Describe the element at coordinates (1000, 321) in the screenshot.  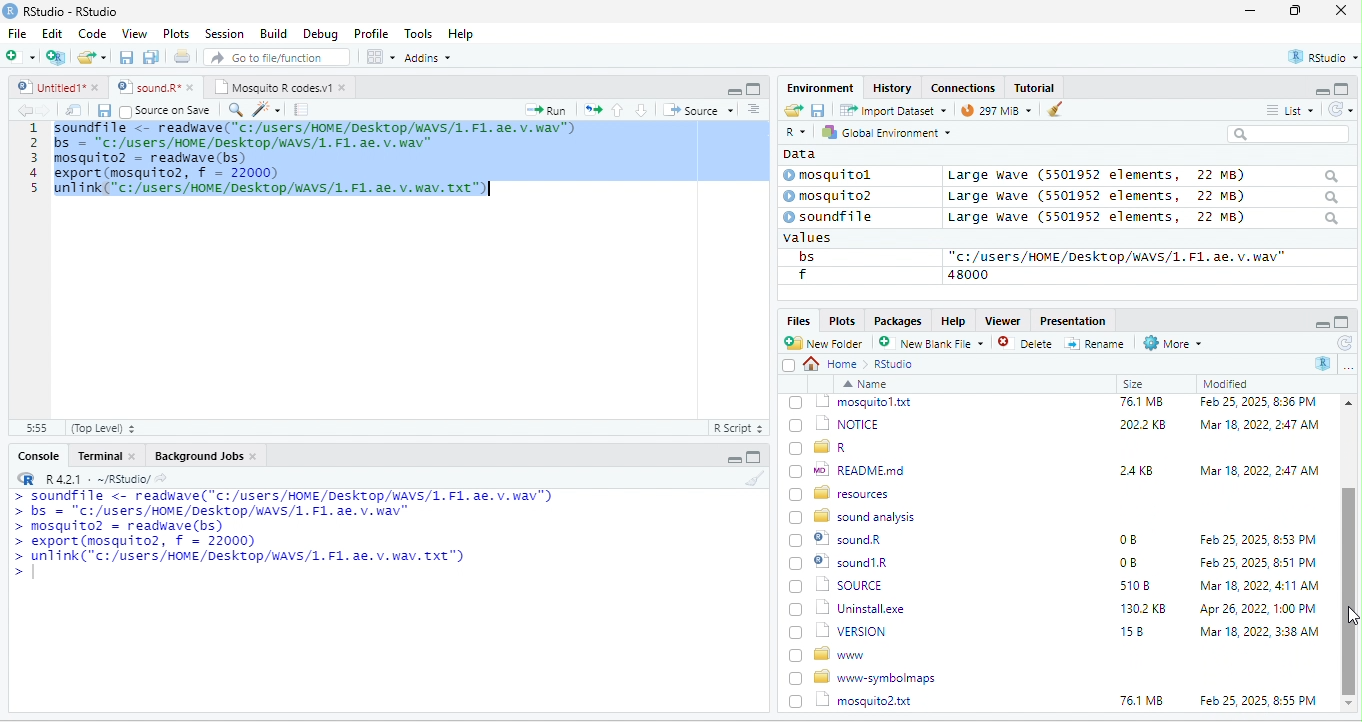
I see `Viewer` at that location.